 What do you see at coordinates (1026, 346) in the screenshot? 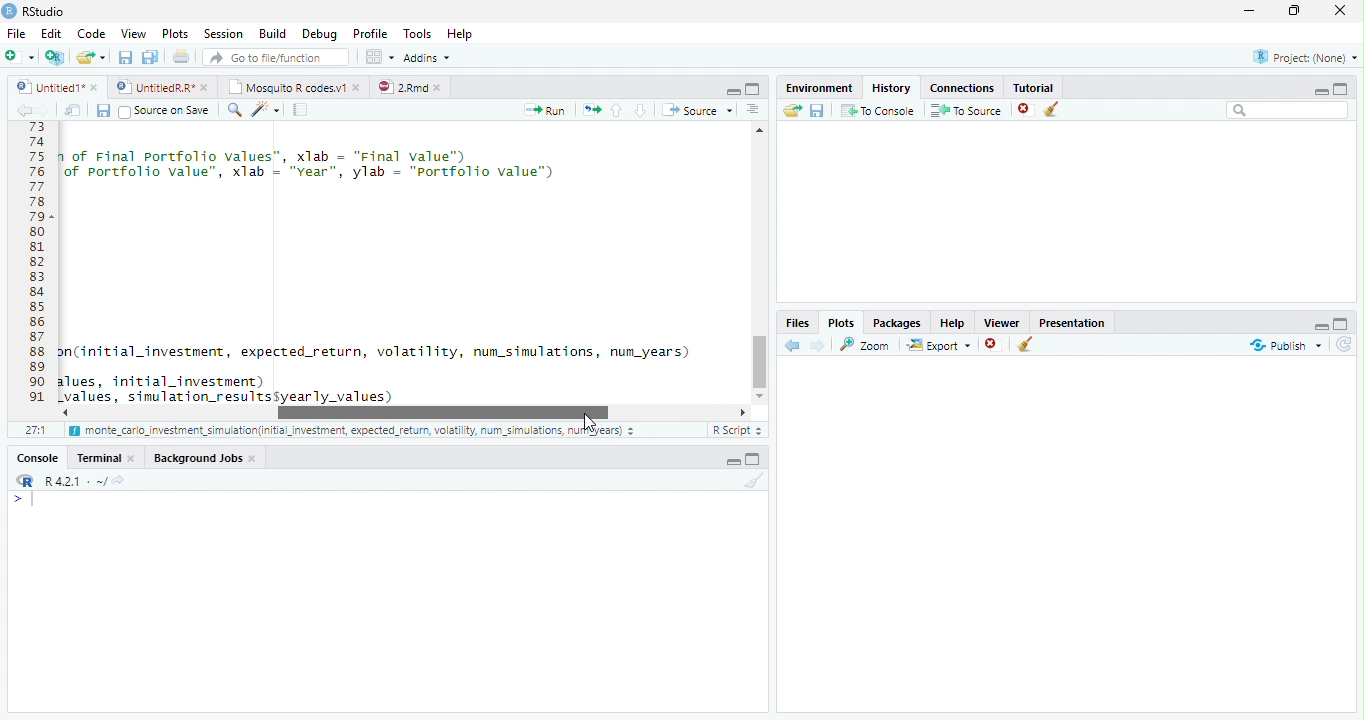
I see `Clear` at bounding box center [1026, 346].